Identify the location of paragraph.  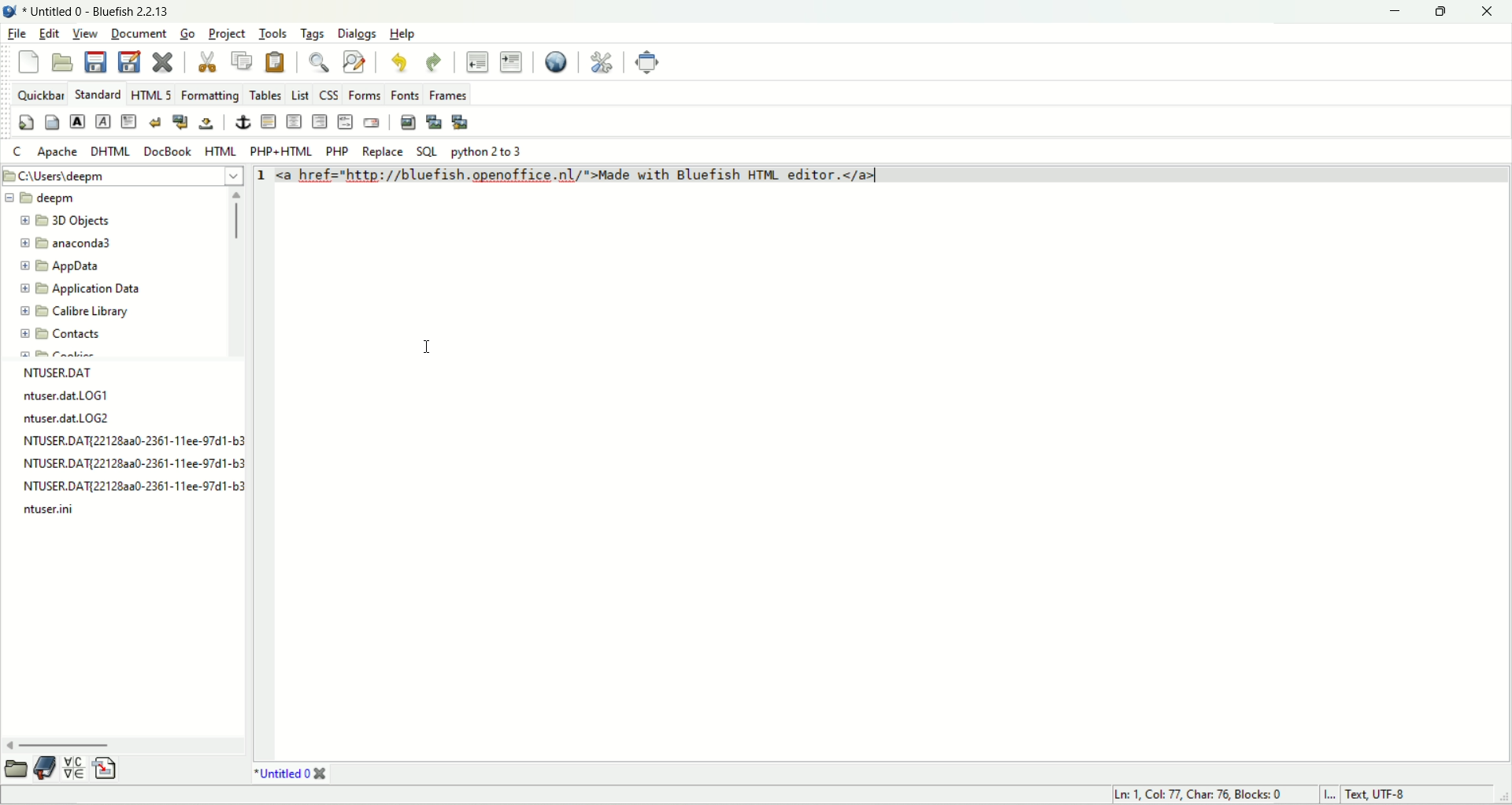
(130, 123).